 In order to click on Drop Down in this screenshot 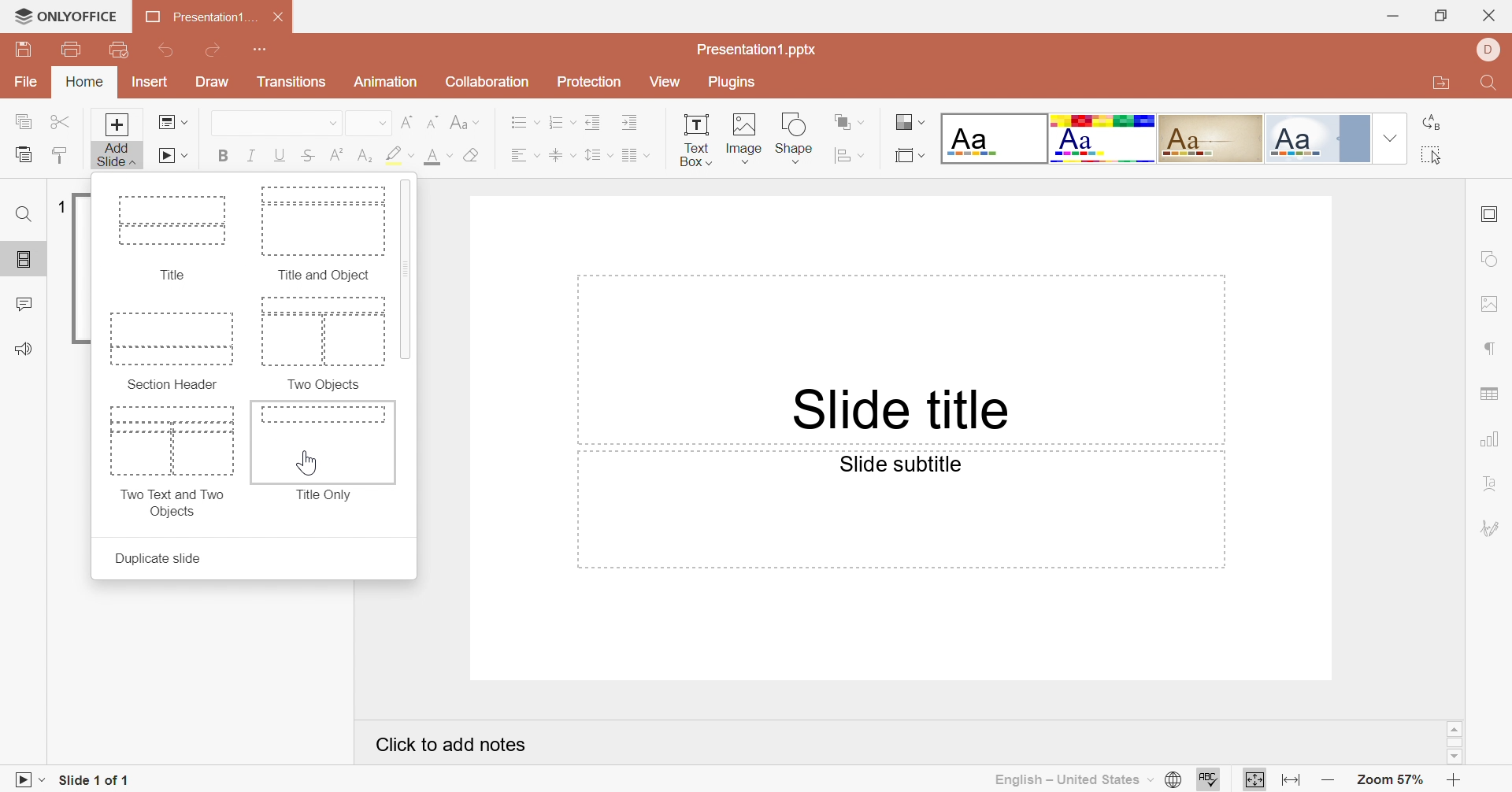, I will do `click(1390, 138)`.